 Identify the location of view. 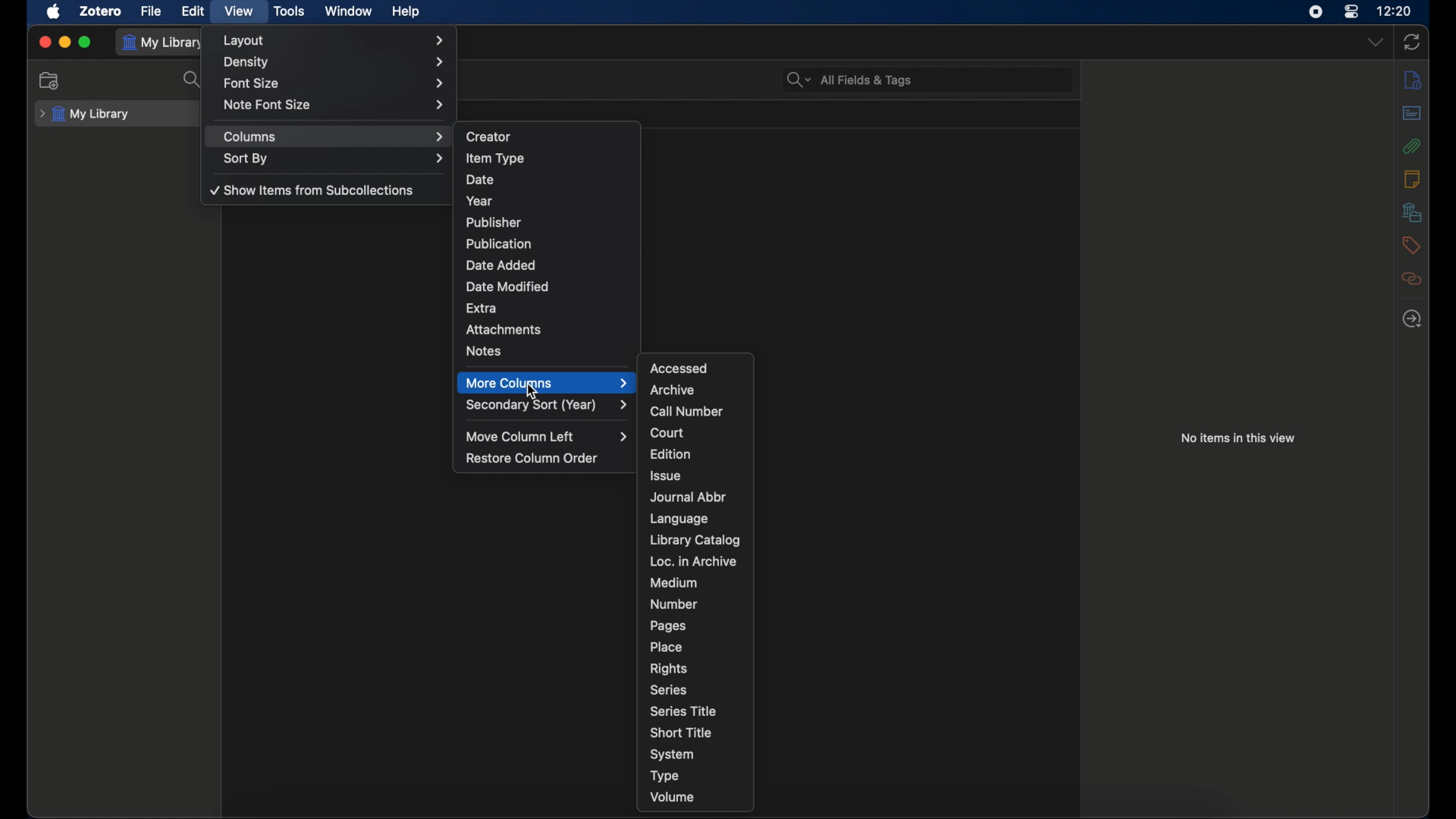
(240, 11).